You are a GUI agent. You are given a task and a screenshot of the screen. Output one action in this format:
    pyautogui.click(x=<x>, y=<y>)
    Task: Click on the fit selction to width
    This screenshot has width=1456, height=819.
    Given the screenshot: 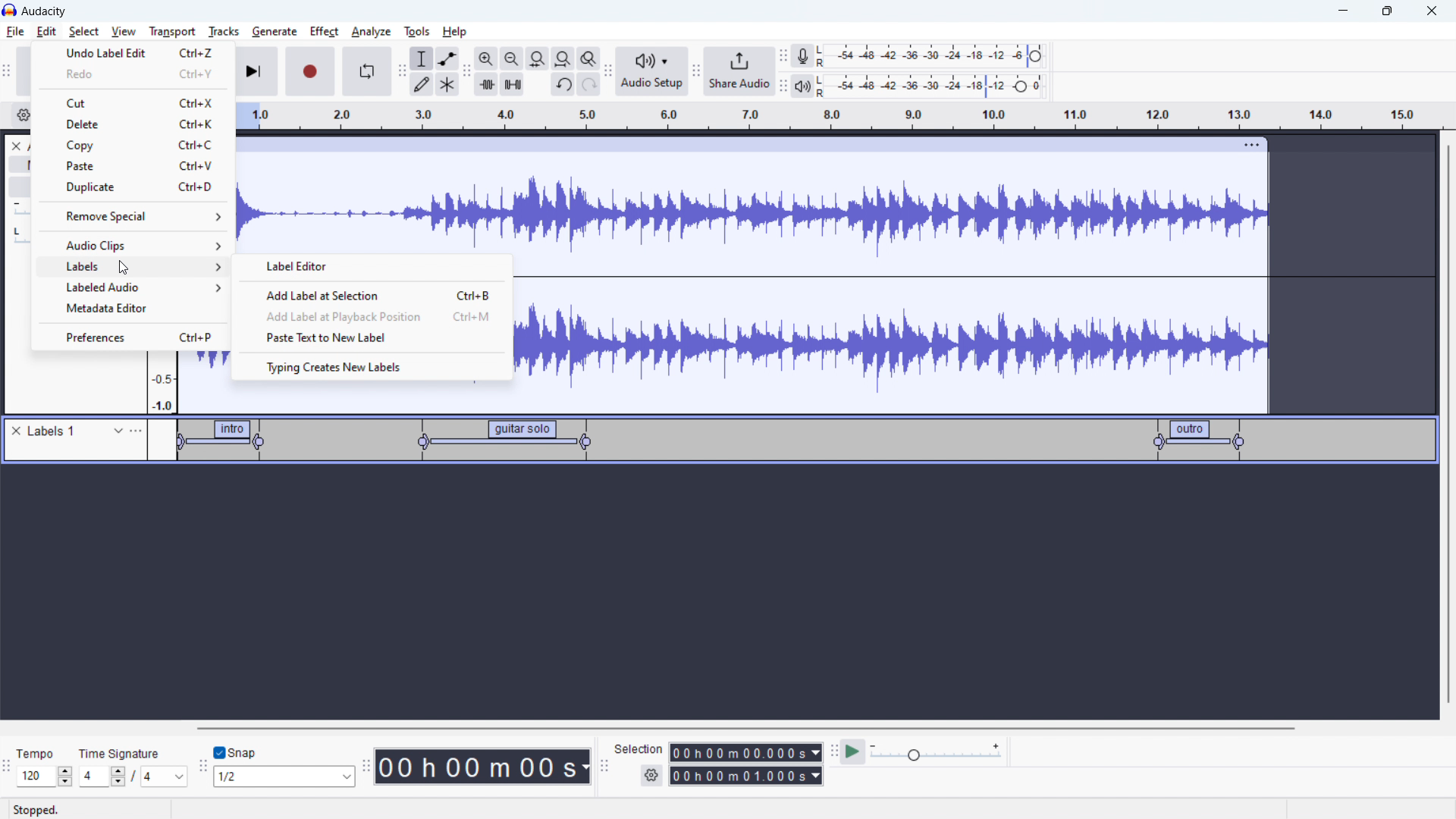 What is the action you would take?
    pyautogui.click(x=538, y=59)
    